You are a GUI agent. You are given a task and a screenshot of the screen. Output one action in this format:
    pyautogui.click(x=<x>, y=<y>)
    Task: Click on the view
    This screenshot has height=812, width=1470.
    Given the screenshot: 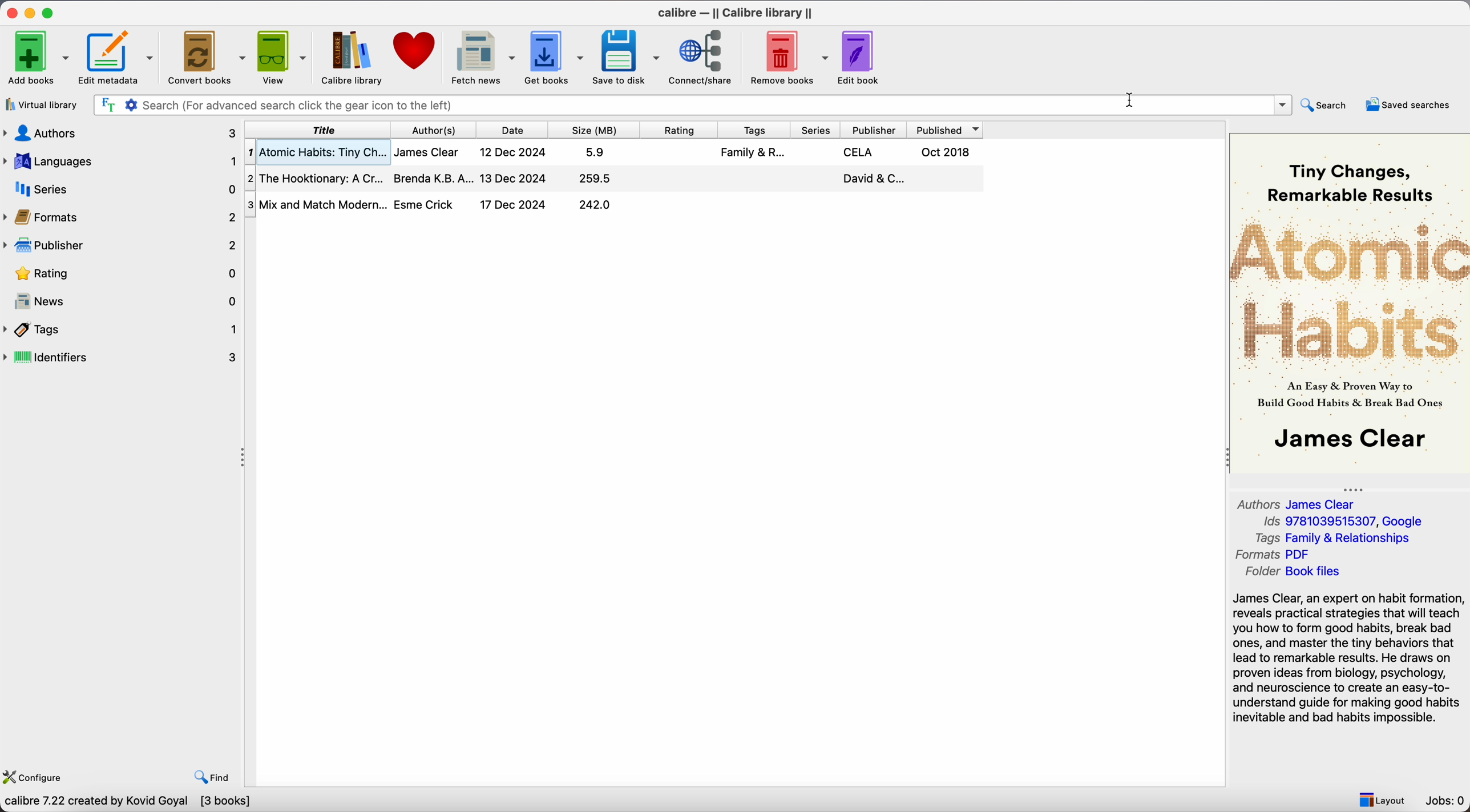 What is the action you would take?
    pyautogui.click(x=281, y=57)
    